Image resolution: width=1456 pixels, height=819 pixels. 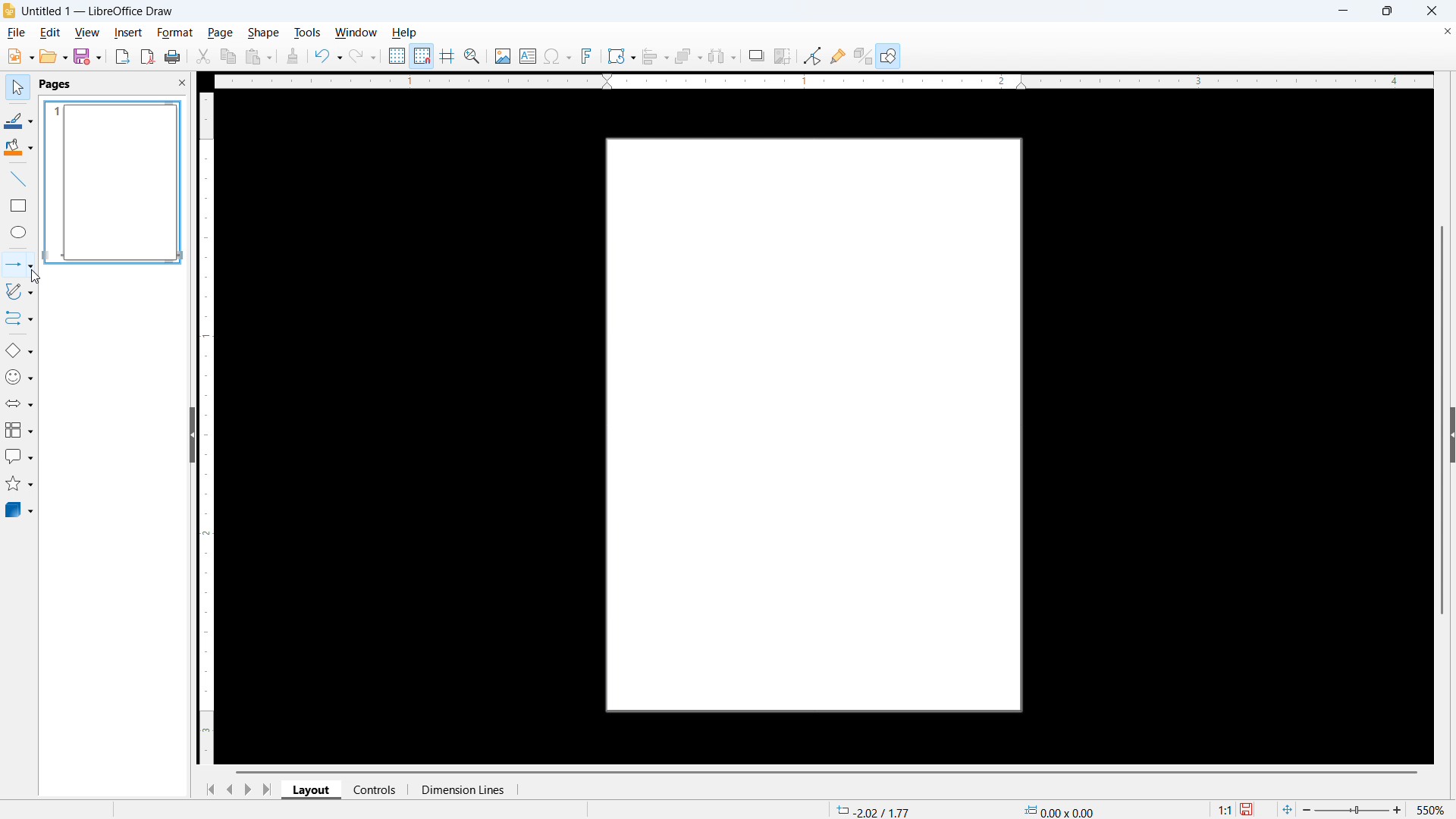 What do you see at coordinates (827, 772) in the screenshot?
I see `Horizontal scroll bar ` at bounding box center [827, 772].